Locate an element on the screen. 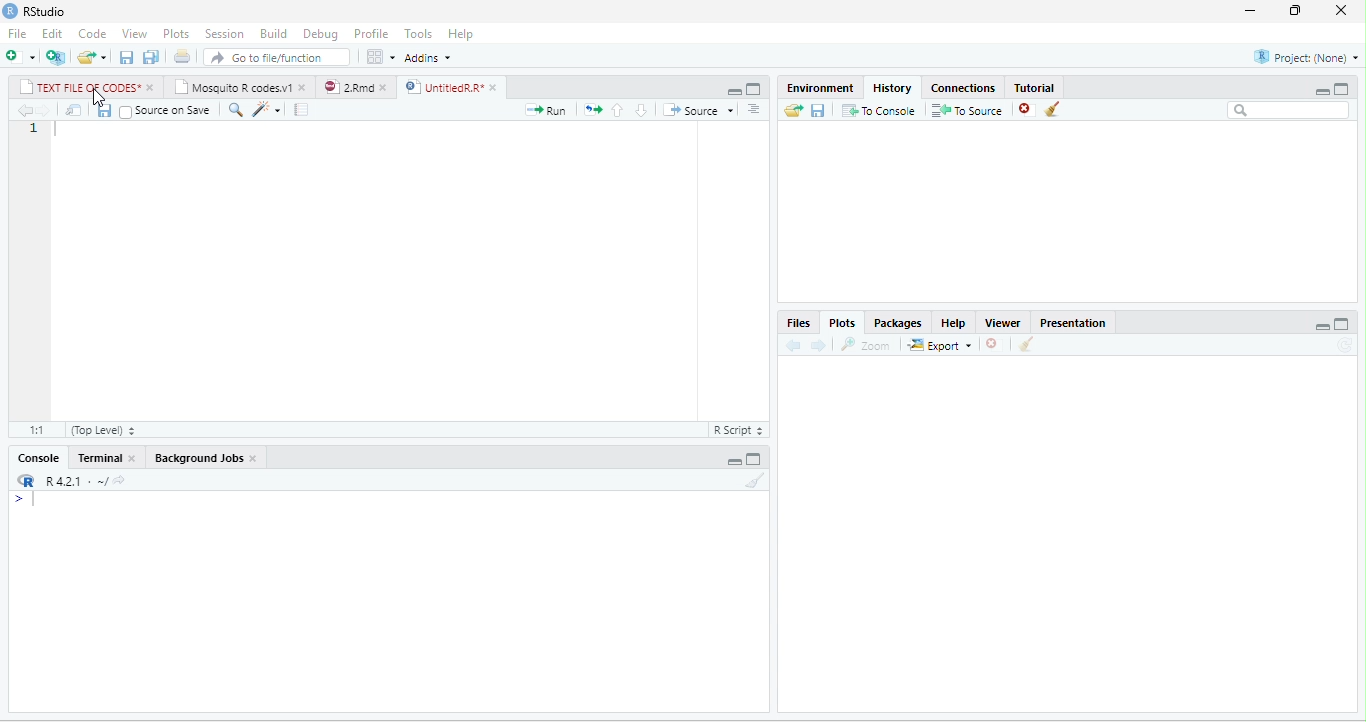 The width and height of the screenshot is (1366, 722). Tutorial is located at coordinates (1034, 87).